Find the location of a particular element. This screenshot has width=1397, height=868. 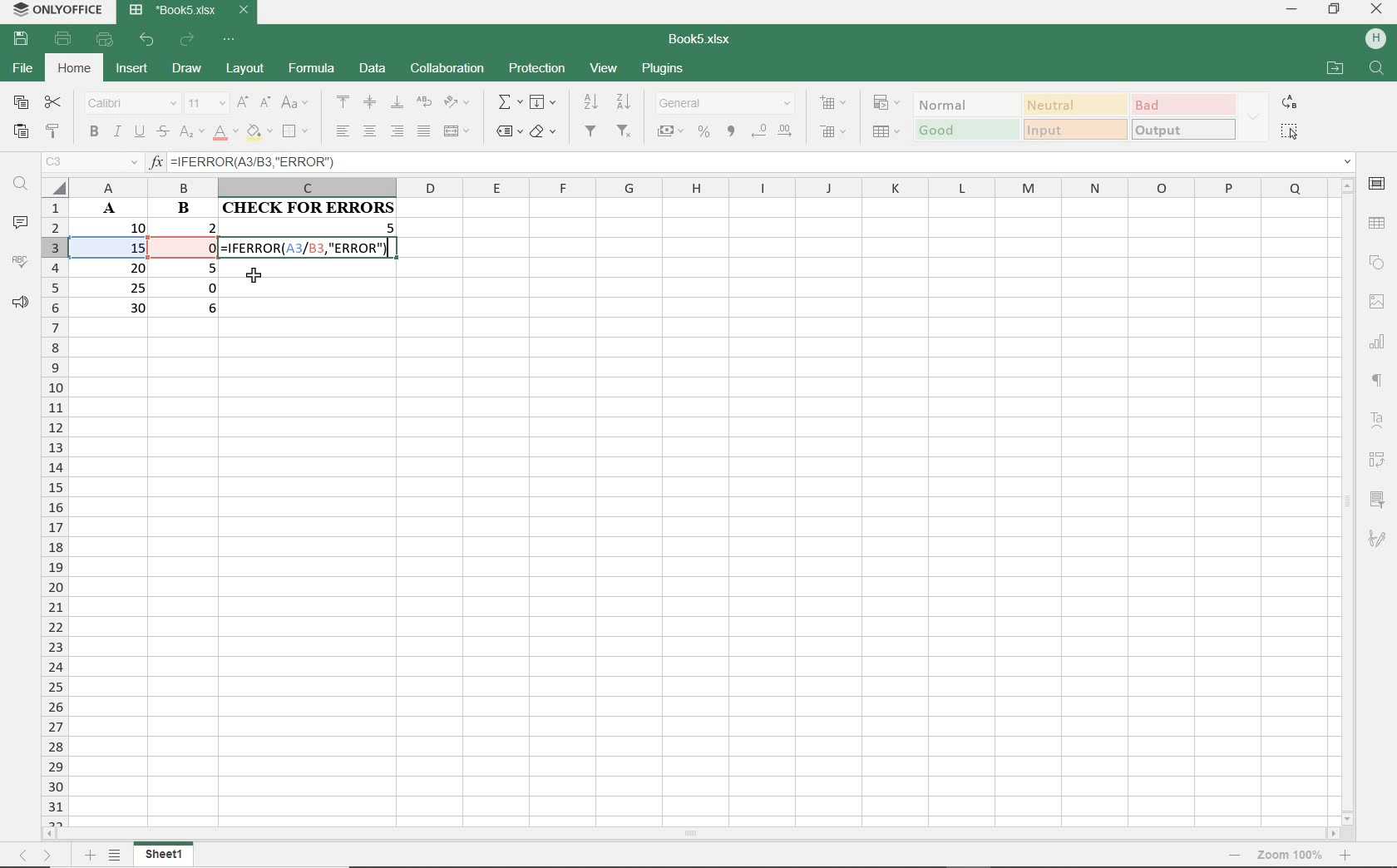

COPY is located at coordinates (20, 103).